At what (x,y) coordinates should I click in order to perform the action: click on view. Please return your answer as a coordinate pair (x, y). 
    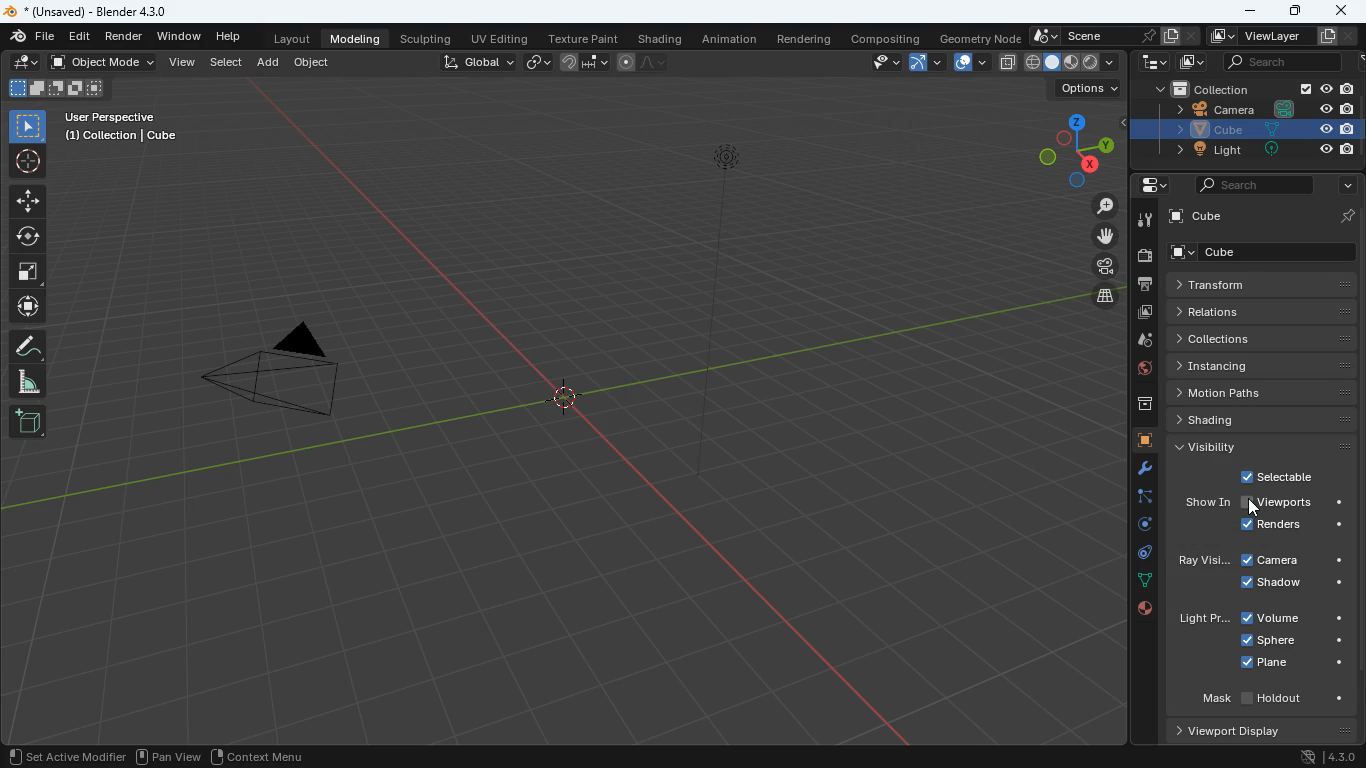
    Looking at the image, I should click on (882, 63).